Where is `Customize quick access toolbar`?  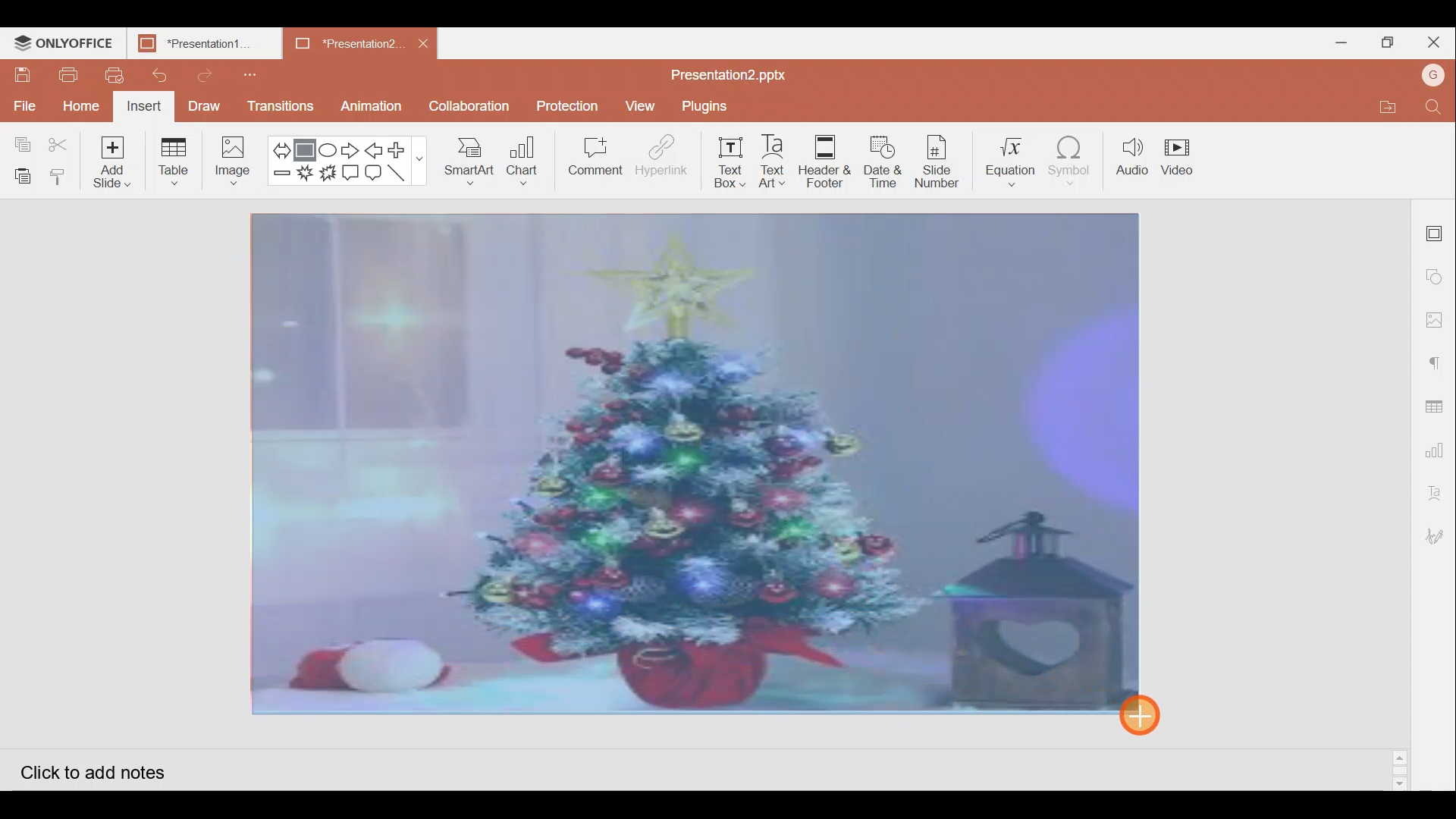 Customize quick access toolbar is located at coordinates (246, 72).